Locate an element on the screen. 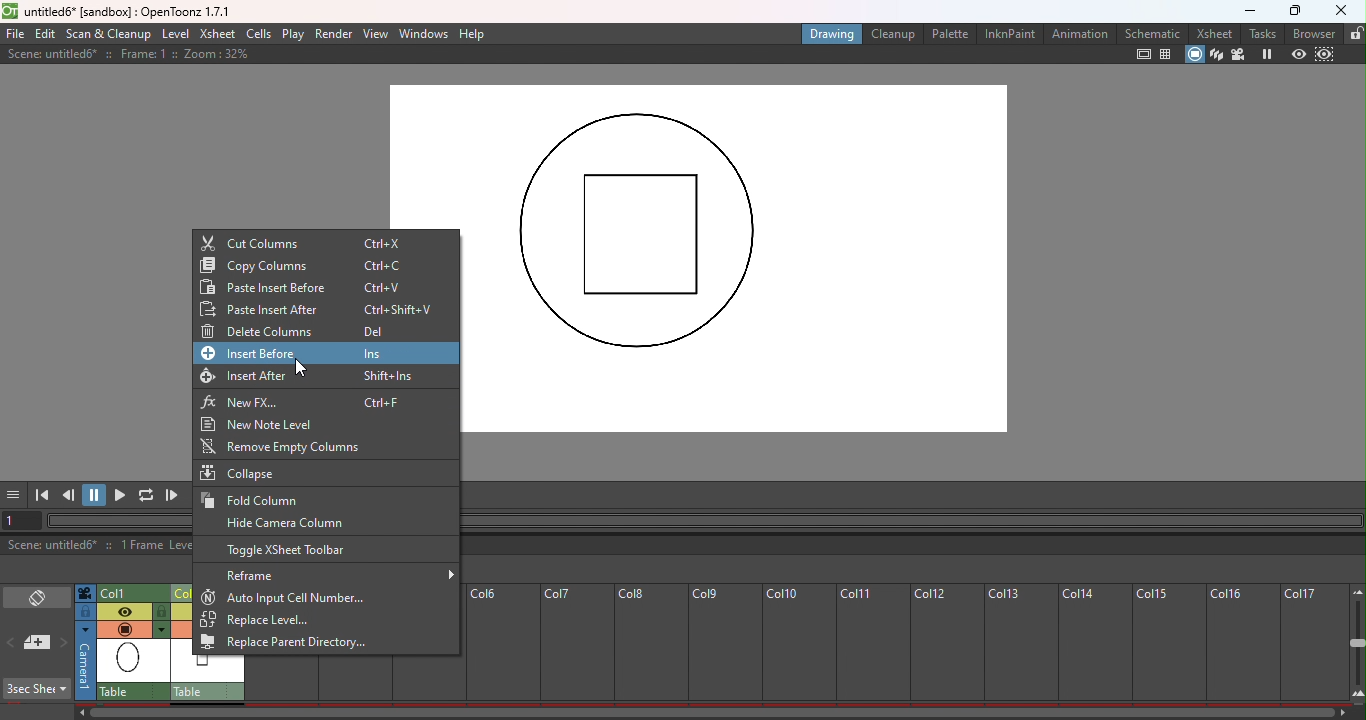 This screenshot has height=720, width=1366. Palette is located at coordinates (949, 35).